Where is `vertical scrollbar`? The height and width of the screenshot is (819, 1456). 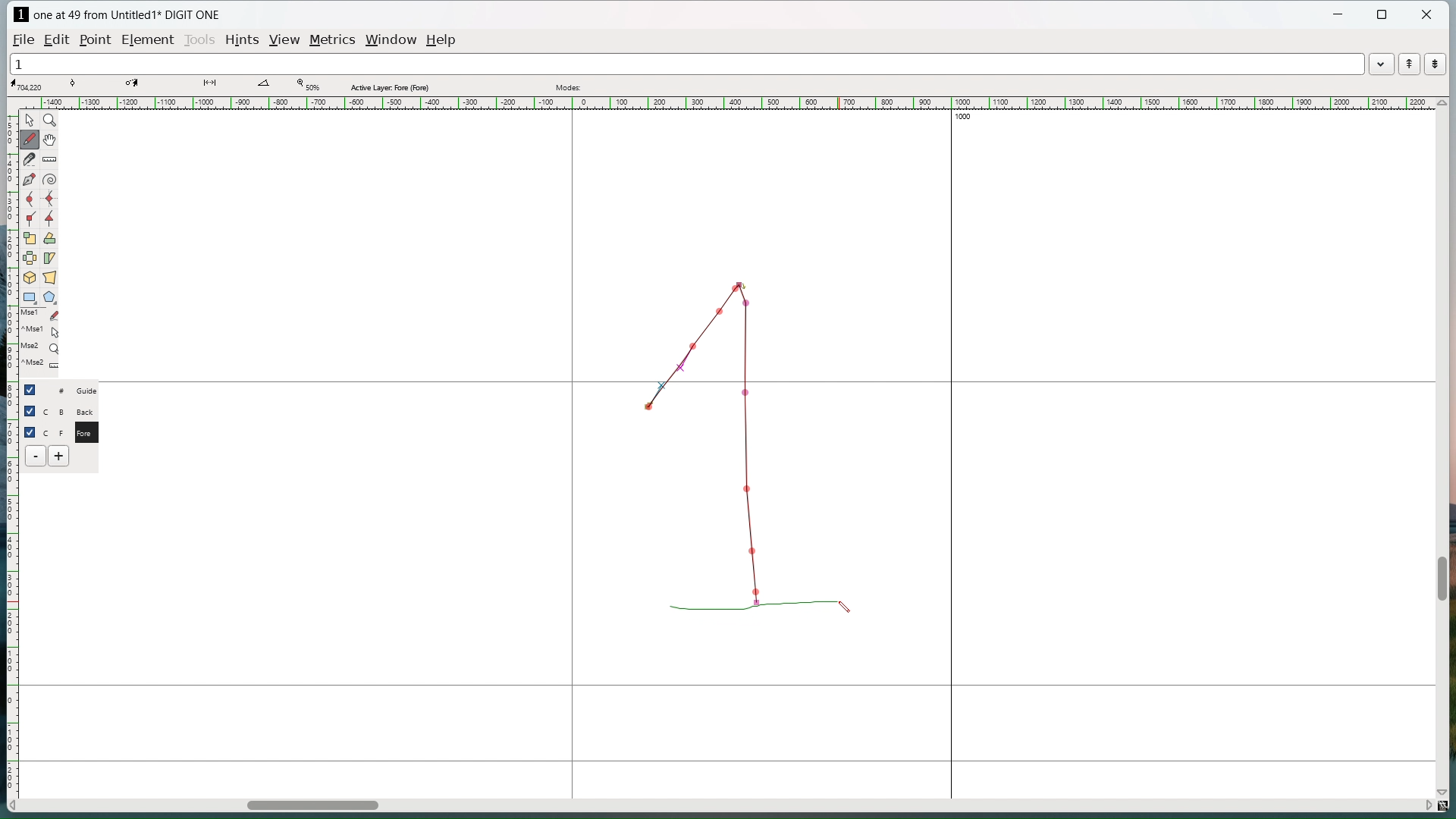 vertical scrollbar is located at coordinates (1441, 579).